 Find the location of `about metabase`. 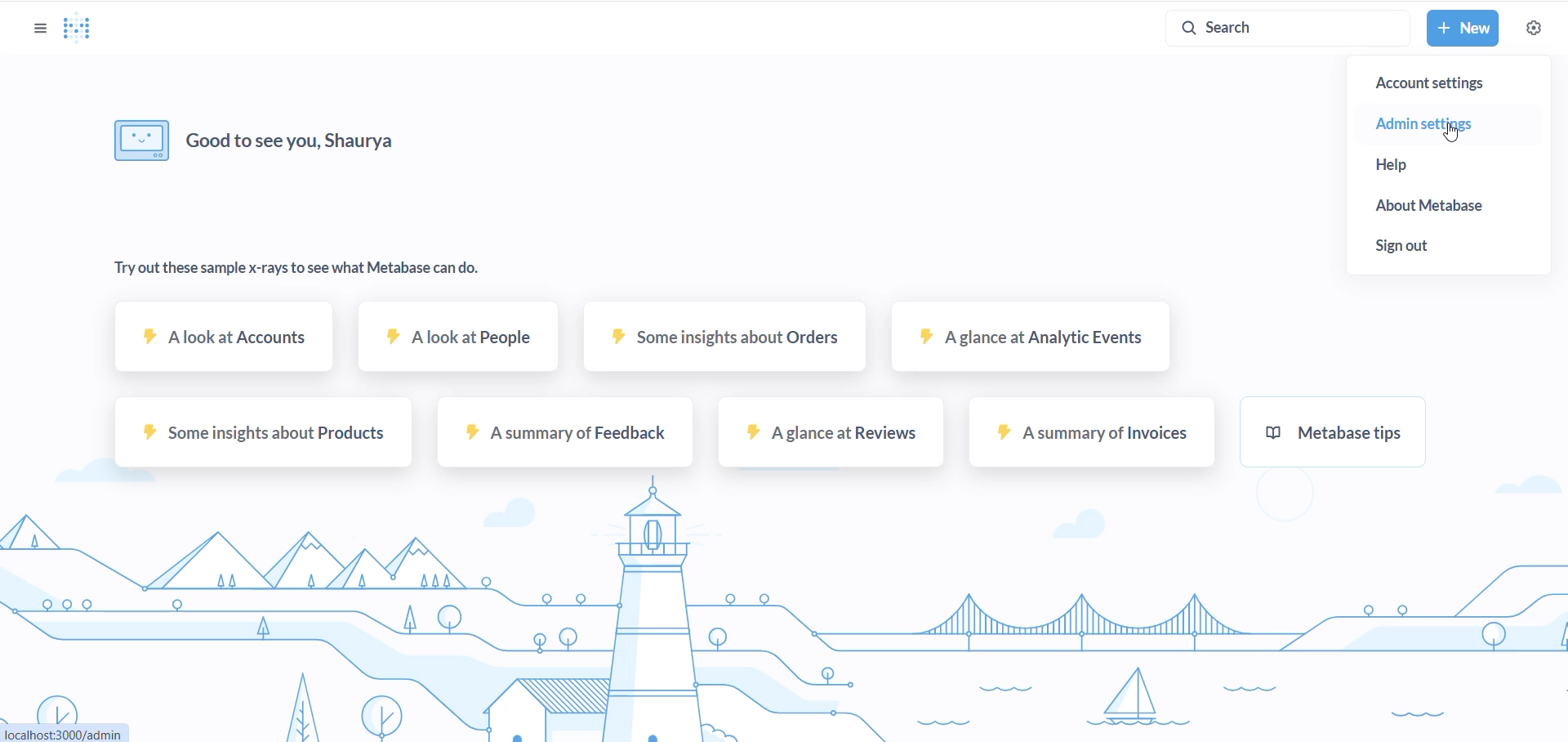

about metabase is located at coordinates (1449, 208).